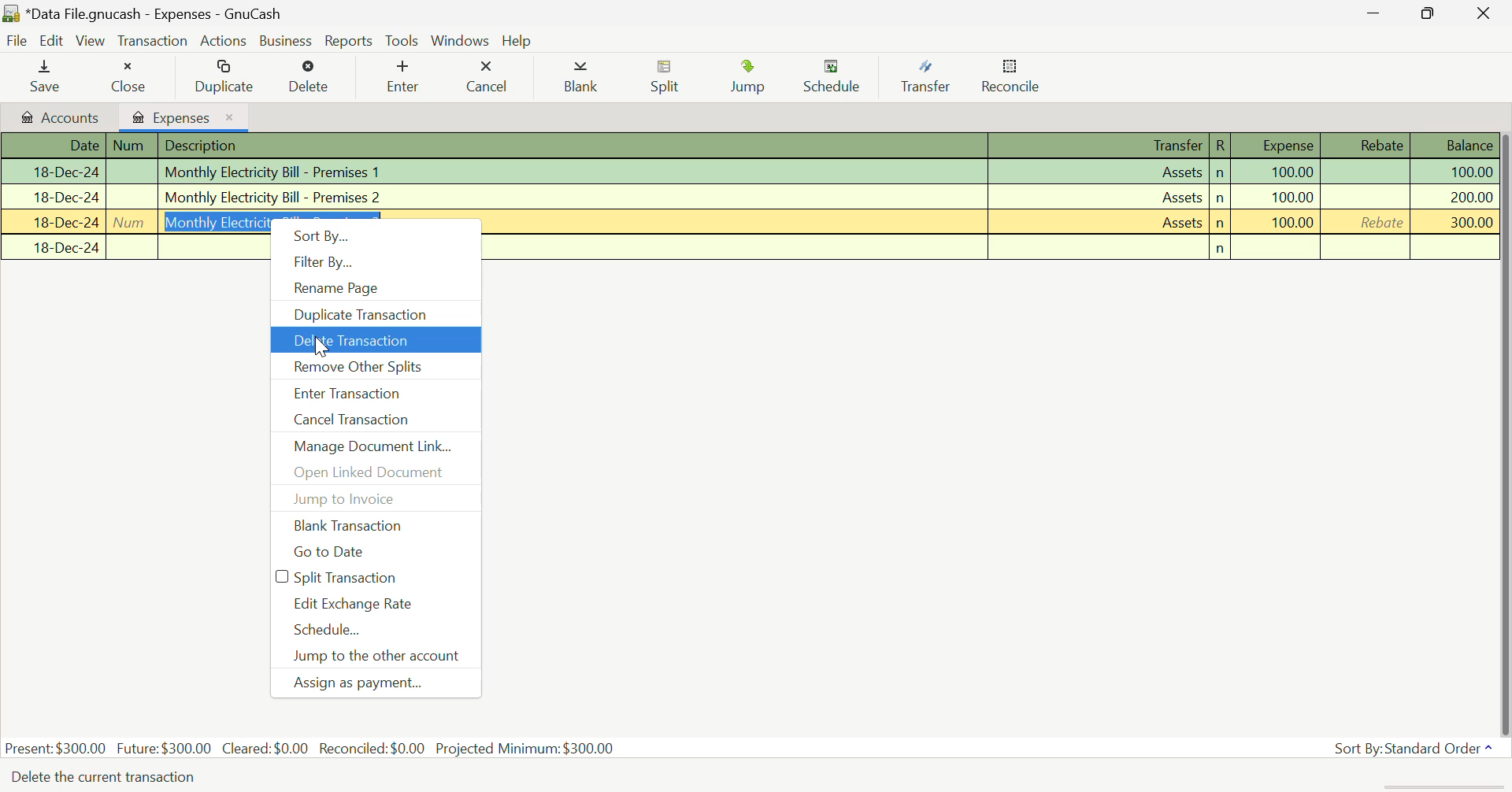  What do you see at coordinates (375, 261) in the screenshot?
I see `Filter By...` at bounding box center [375, 261].